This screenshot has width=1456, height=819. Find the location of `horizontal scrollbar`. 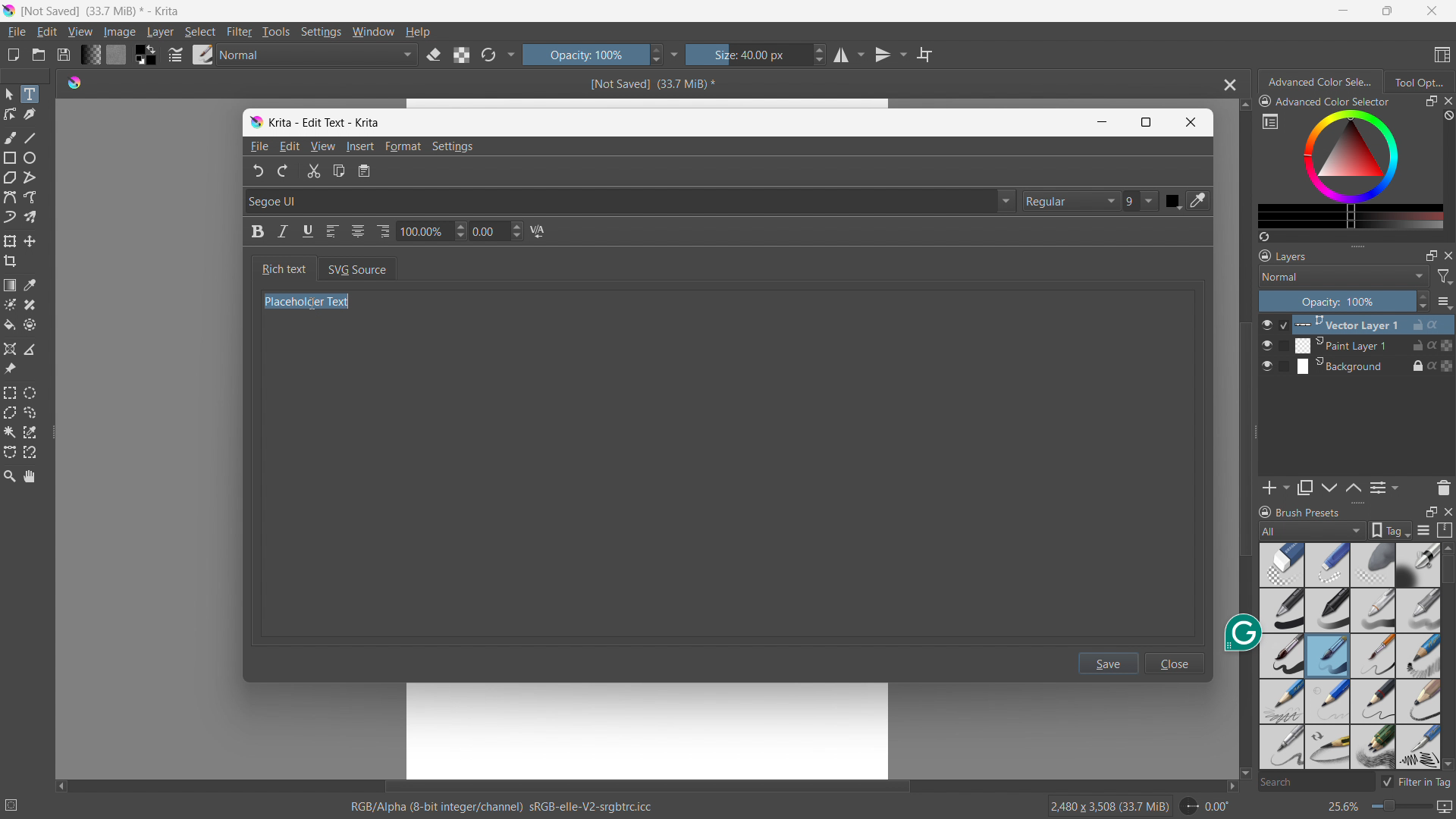

horizontal scrollbar is located at coordinates (646, 784).